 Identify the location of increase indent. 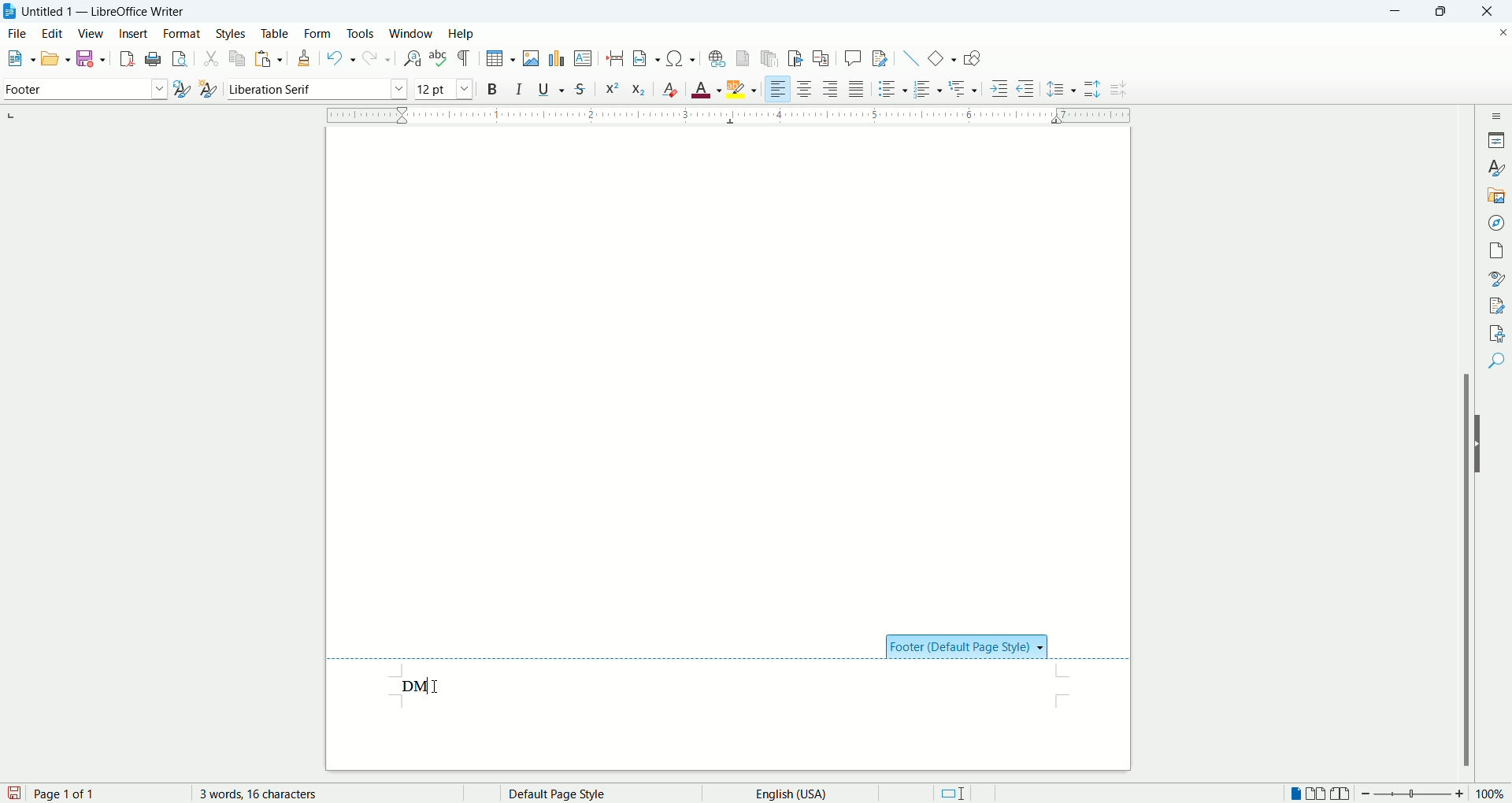
(1000, 88).